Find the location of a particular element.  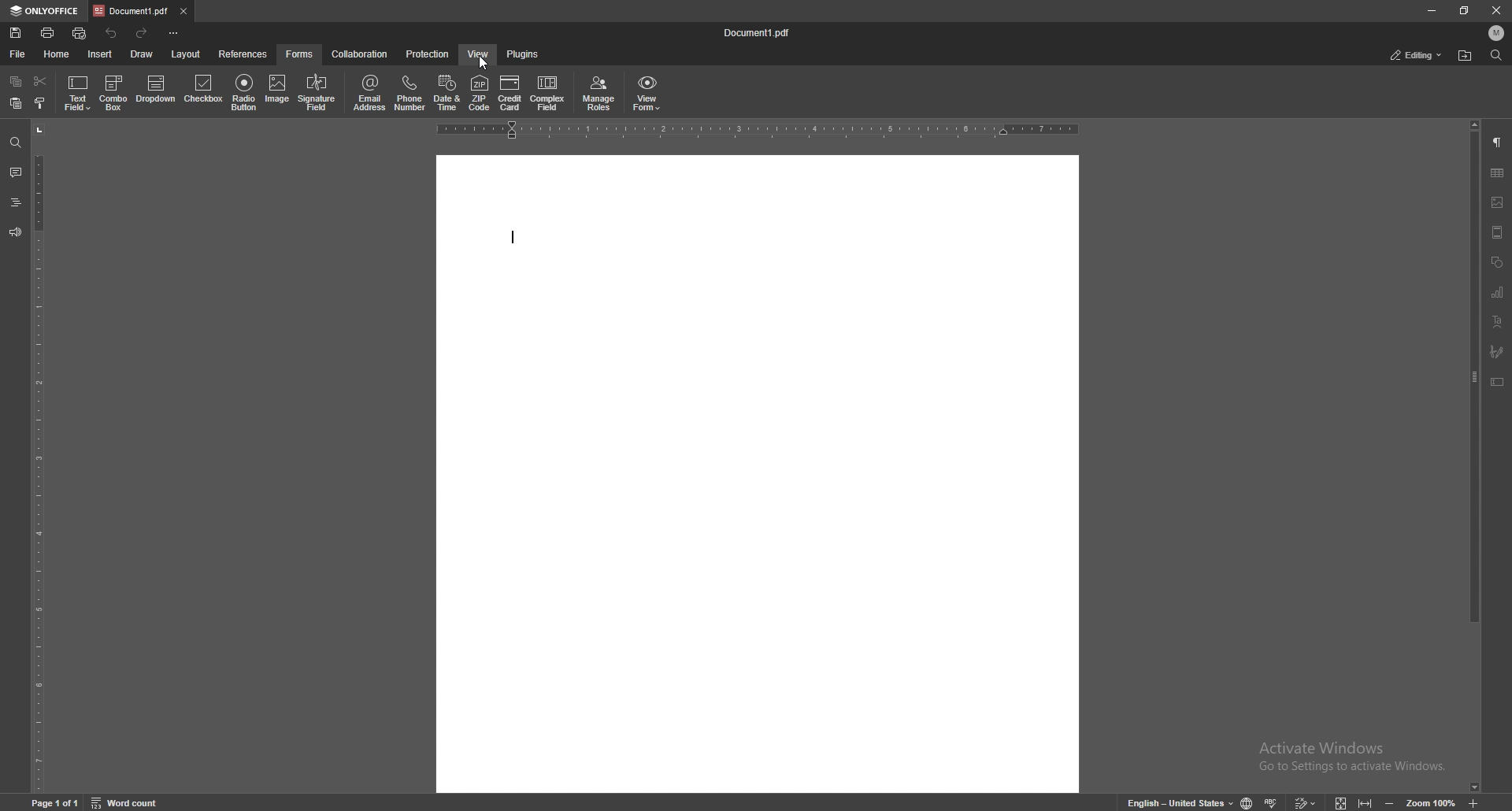

undo is located at coordinates (112, 33).